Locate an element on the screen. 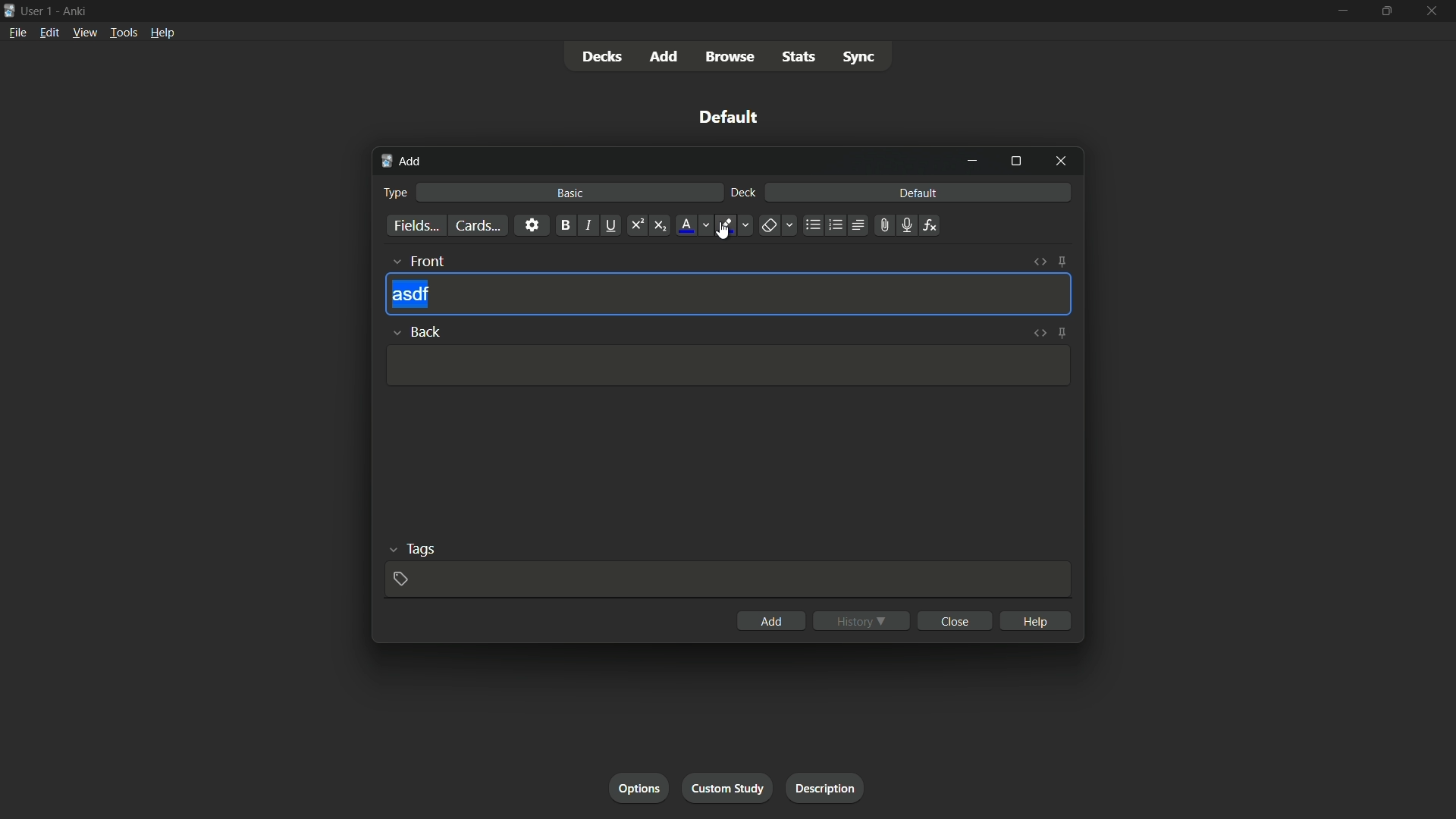  toggle sticky is located at coordinates (1062, 331).